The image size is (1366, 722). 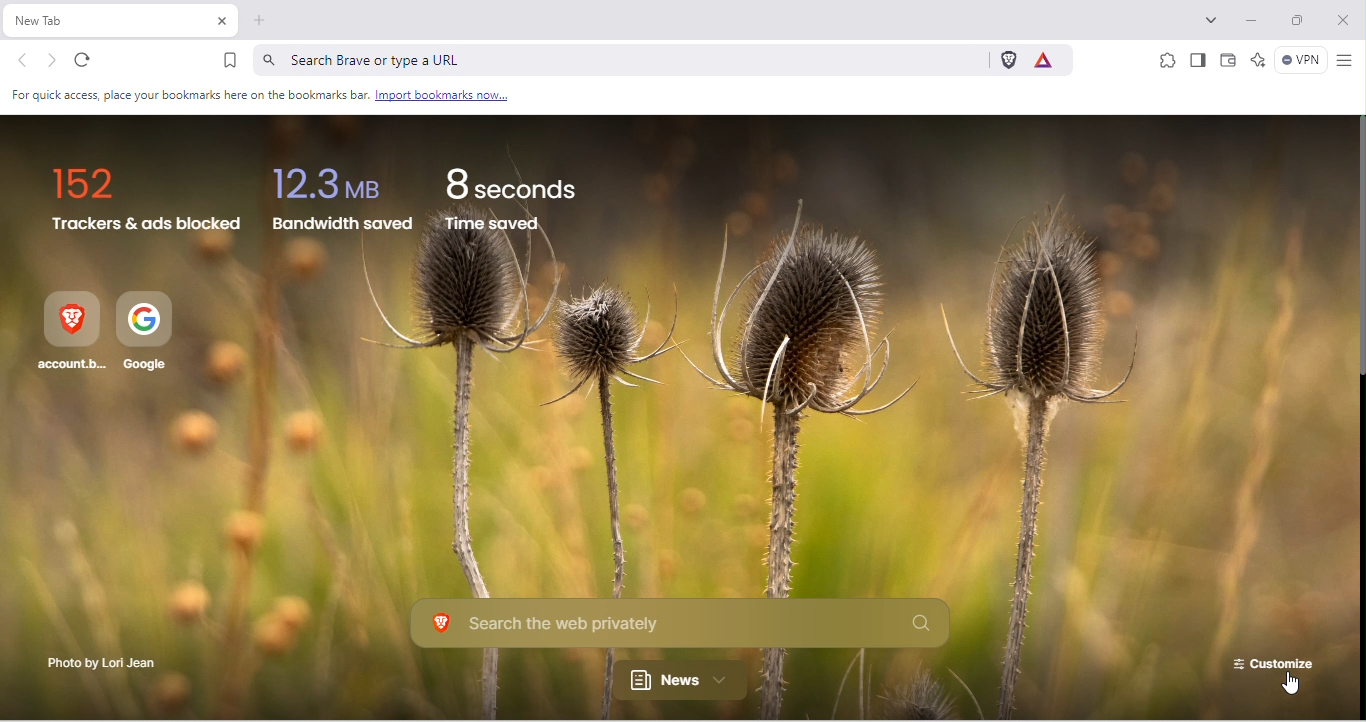 I want to click on Brave firewall+VPN, so click(x=1298, y=62).